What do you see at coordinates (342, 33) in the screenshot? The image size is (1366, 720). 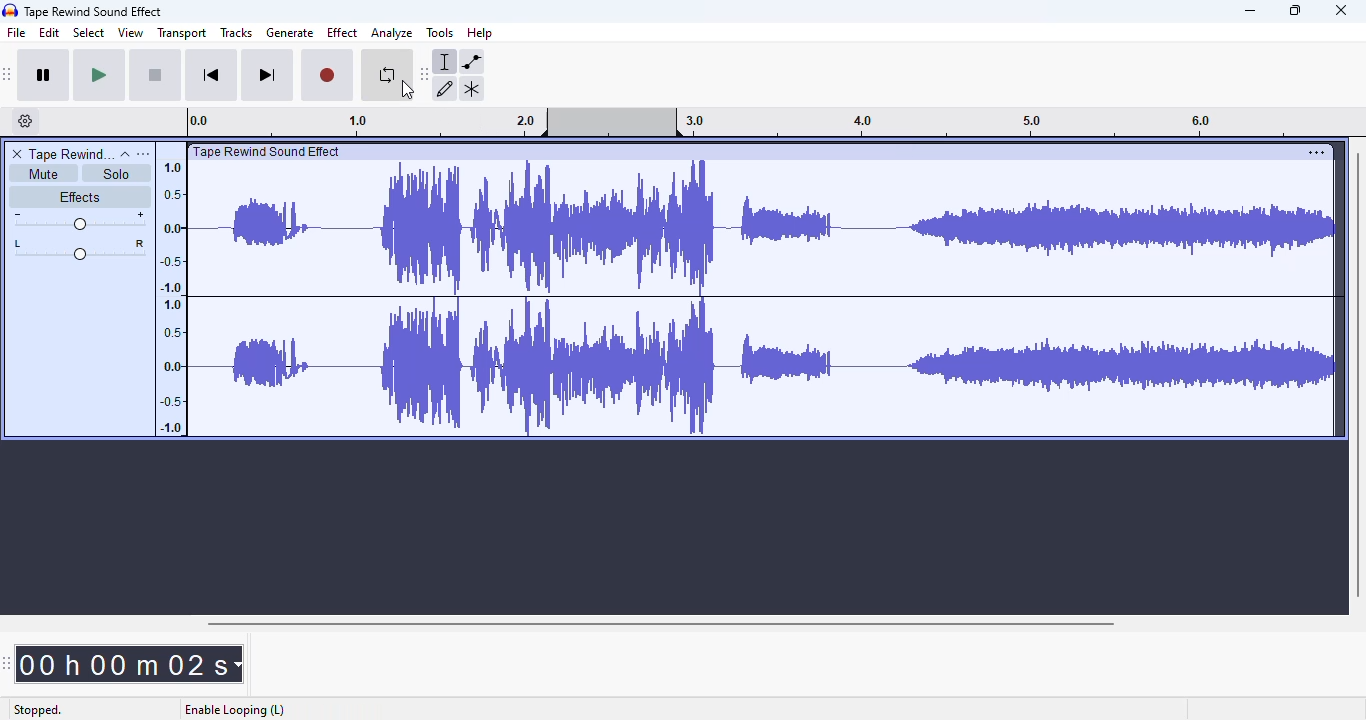 I see `effect` at bounding box center [342, 33].